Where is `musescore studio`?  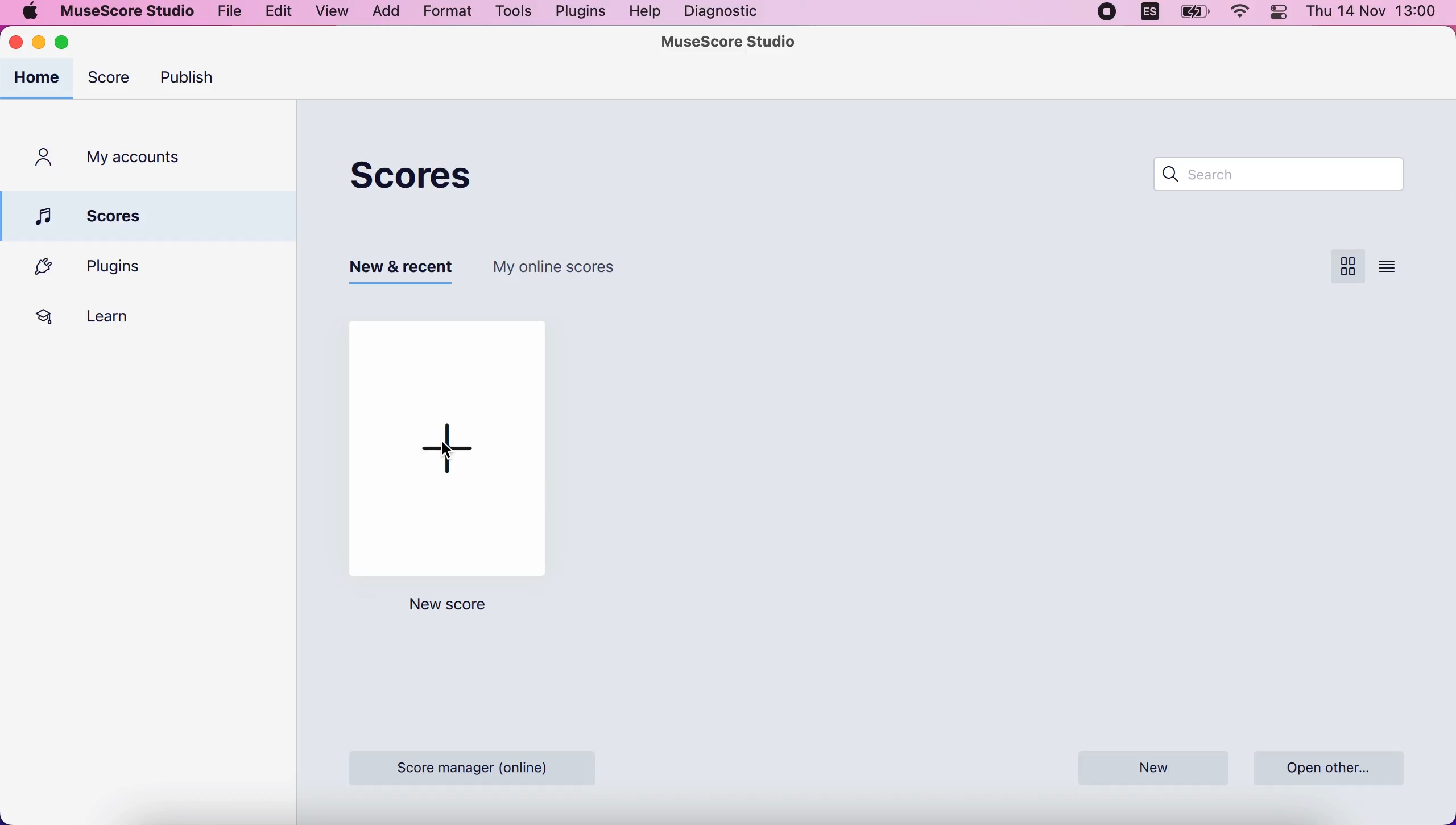 musescore studio is located at coordinates (731, 43).